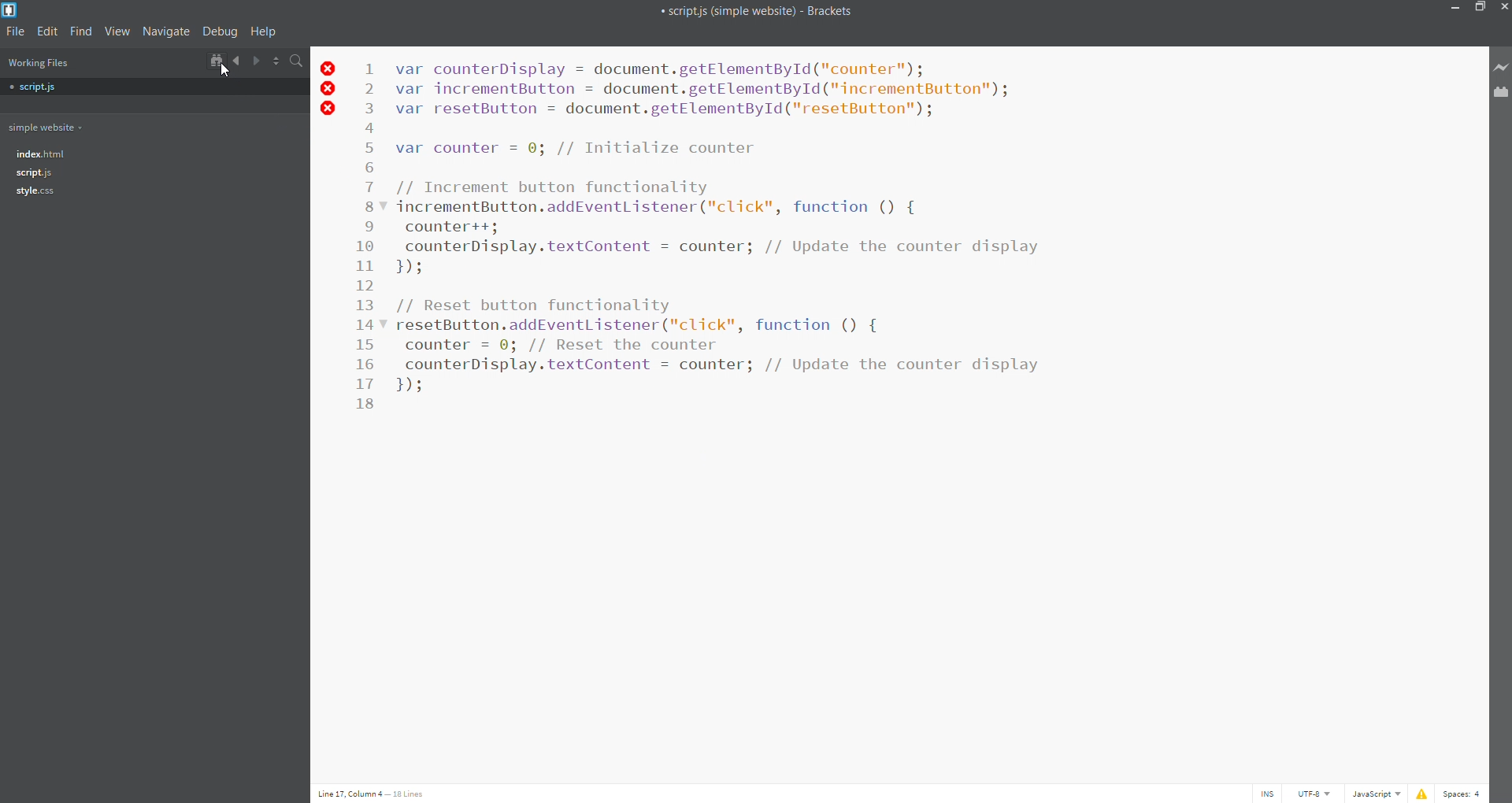 The height and width of the screenshot is (803, 1512). I want to click on debug, so click(220, 32).